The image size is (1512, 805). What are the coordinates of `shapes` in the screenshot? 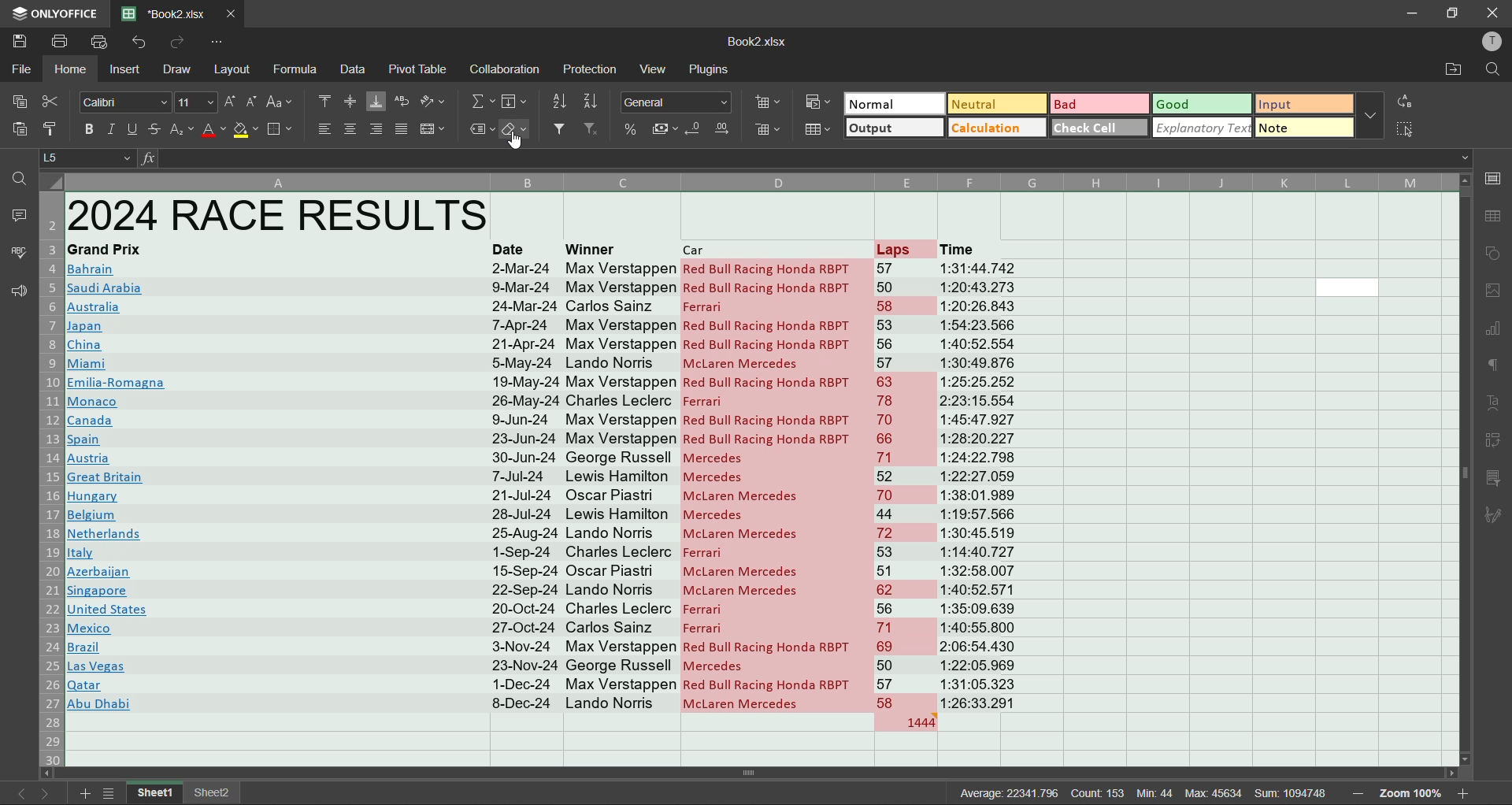 It's located at (1495, 256).